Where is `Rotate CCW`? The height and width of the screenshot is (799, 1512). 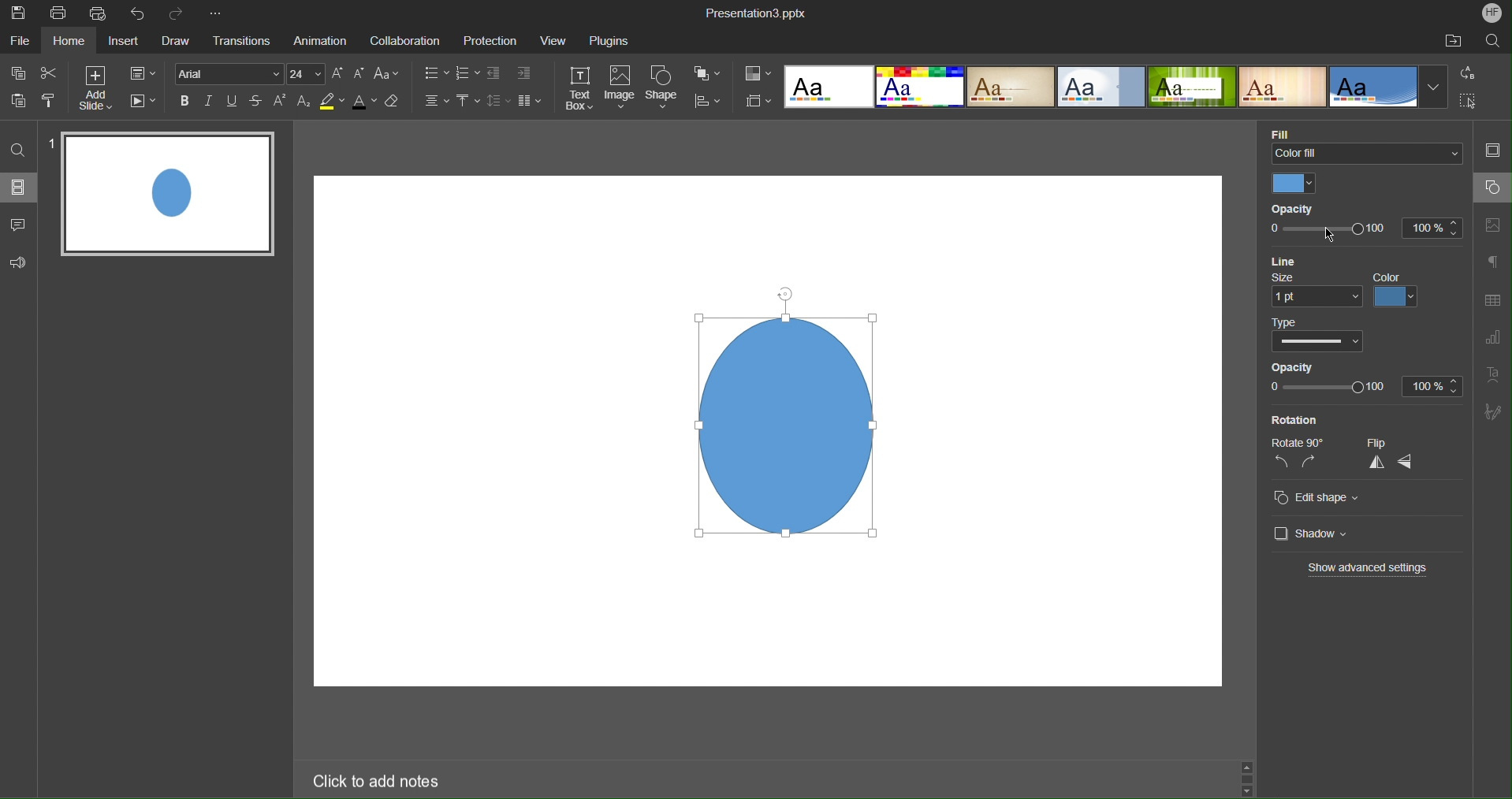 Rotate CCW is located at coordinates (1283, 462).